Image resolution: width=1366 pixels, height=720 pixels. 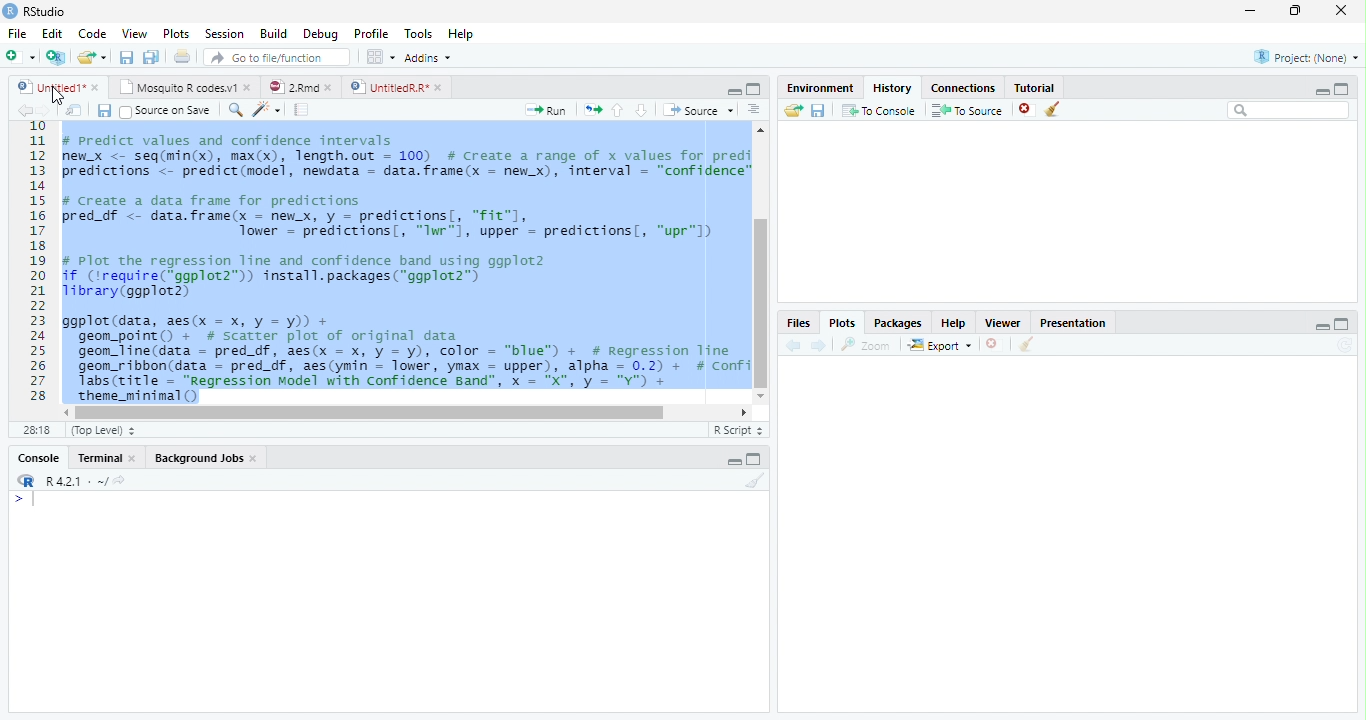 I want to click on Maximize, so click(x=755, y=459).